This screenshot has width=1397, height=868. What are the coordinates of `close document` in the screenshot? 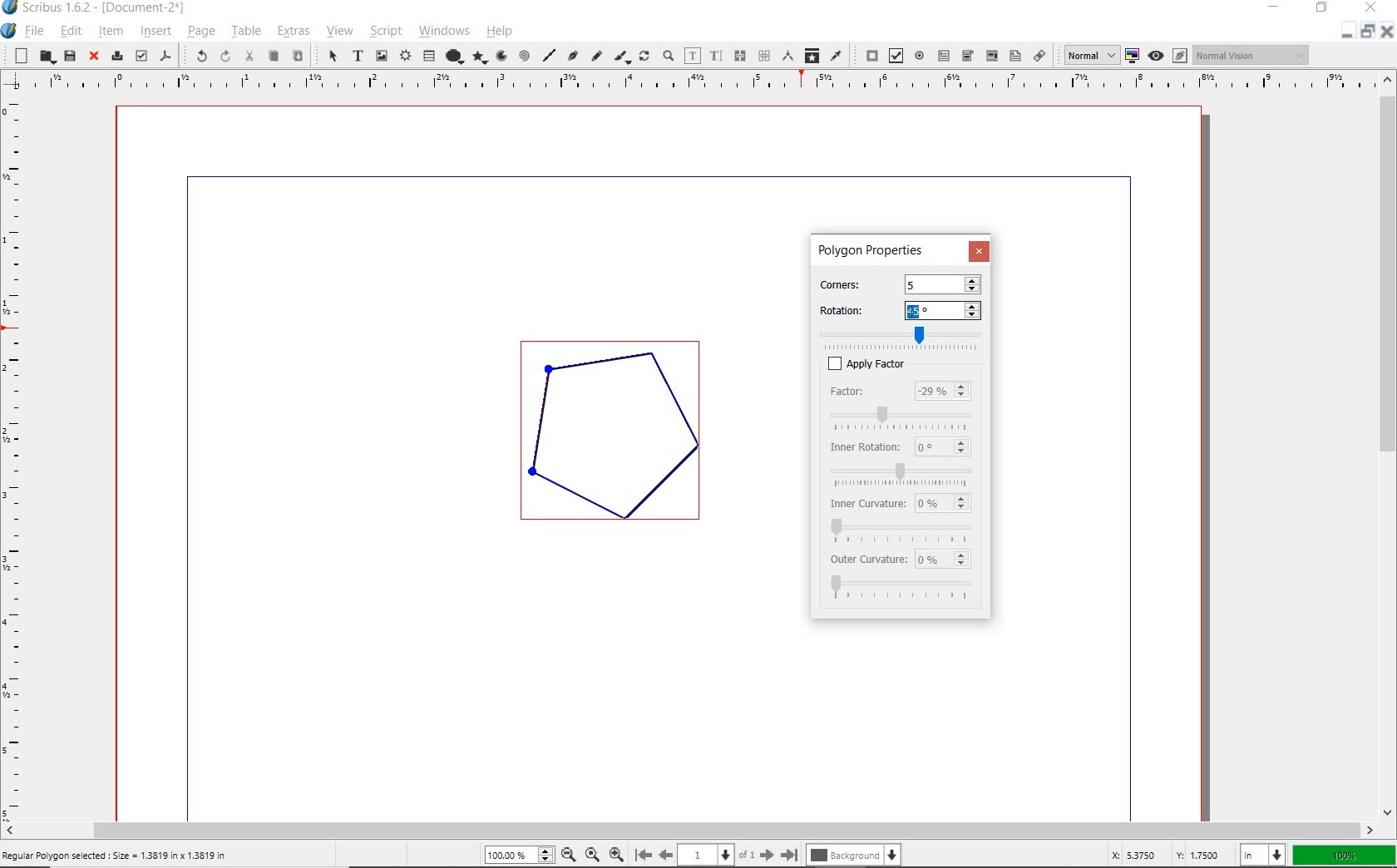 It's located at (1385, 31).